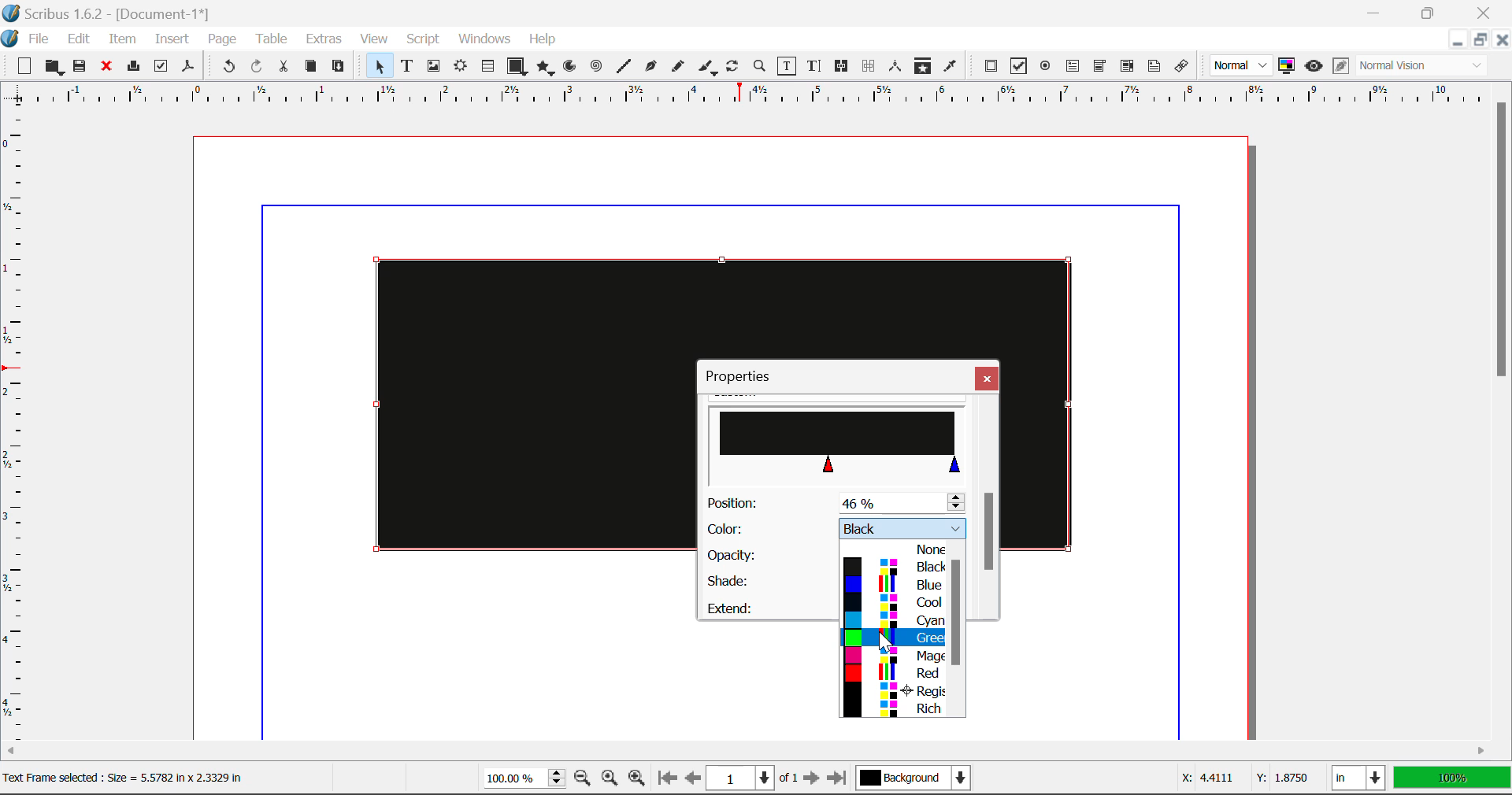  What do you see at coordinates (747, 376) in the screenshot?
I see `Properties` at bounding box center [747, 376].